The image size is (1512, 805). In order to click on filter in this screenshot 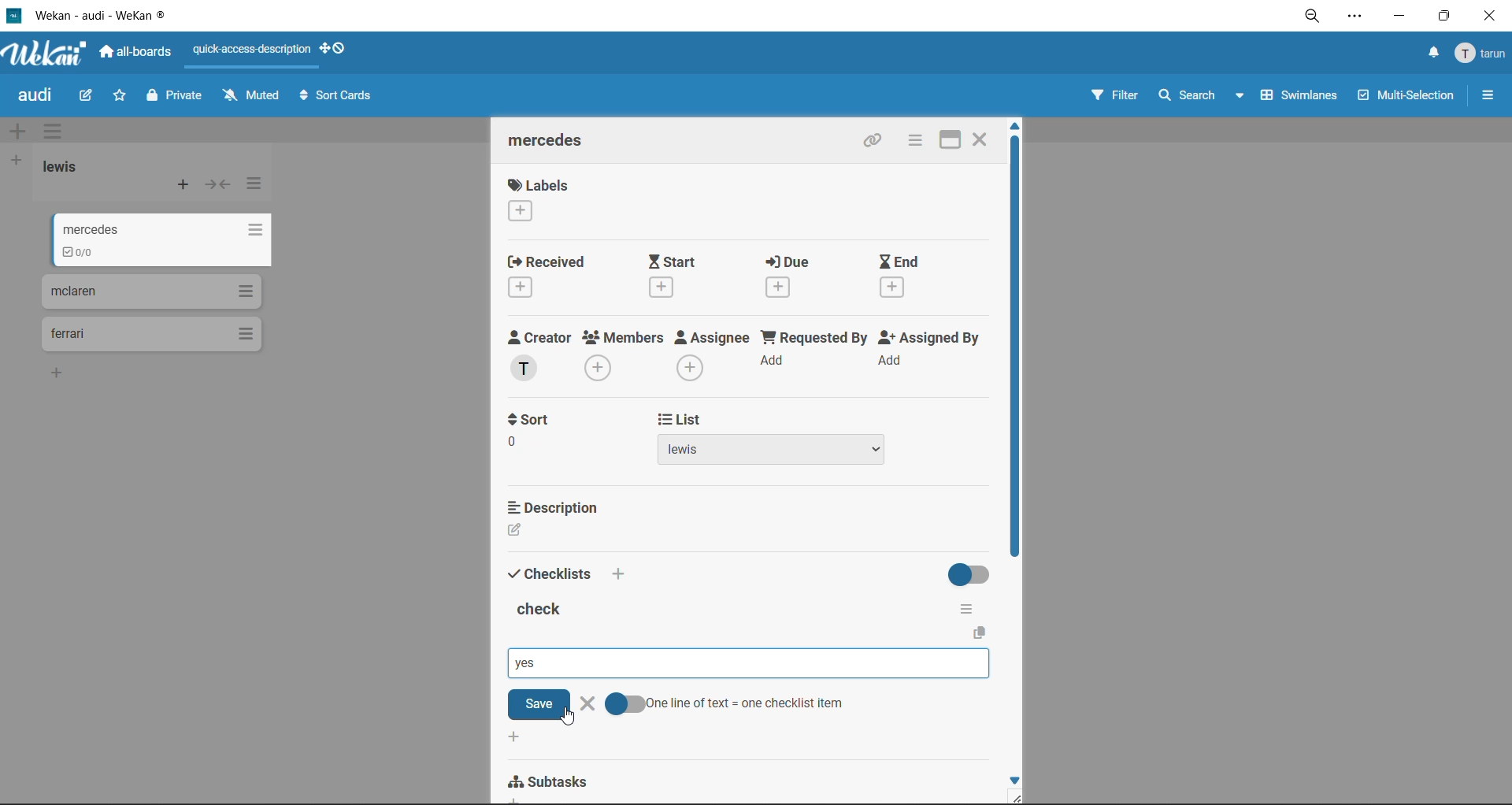, I will do `click(1113, 98)`.